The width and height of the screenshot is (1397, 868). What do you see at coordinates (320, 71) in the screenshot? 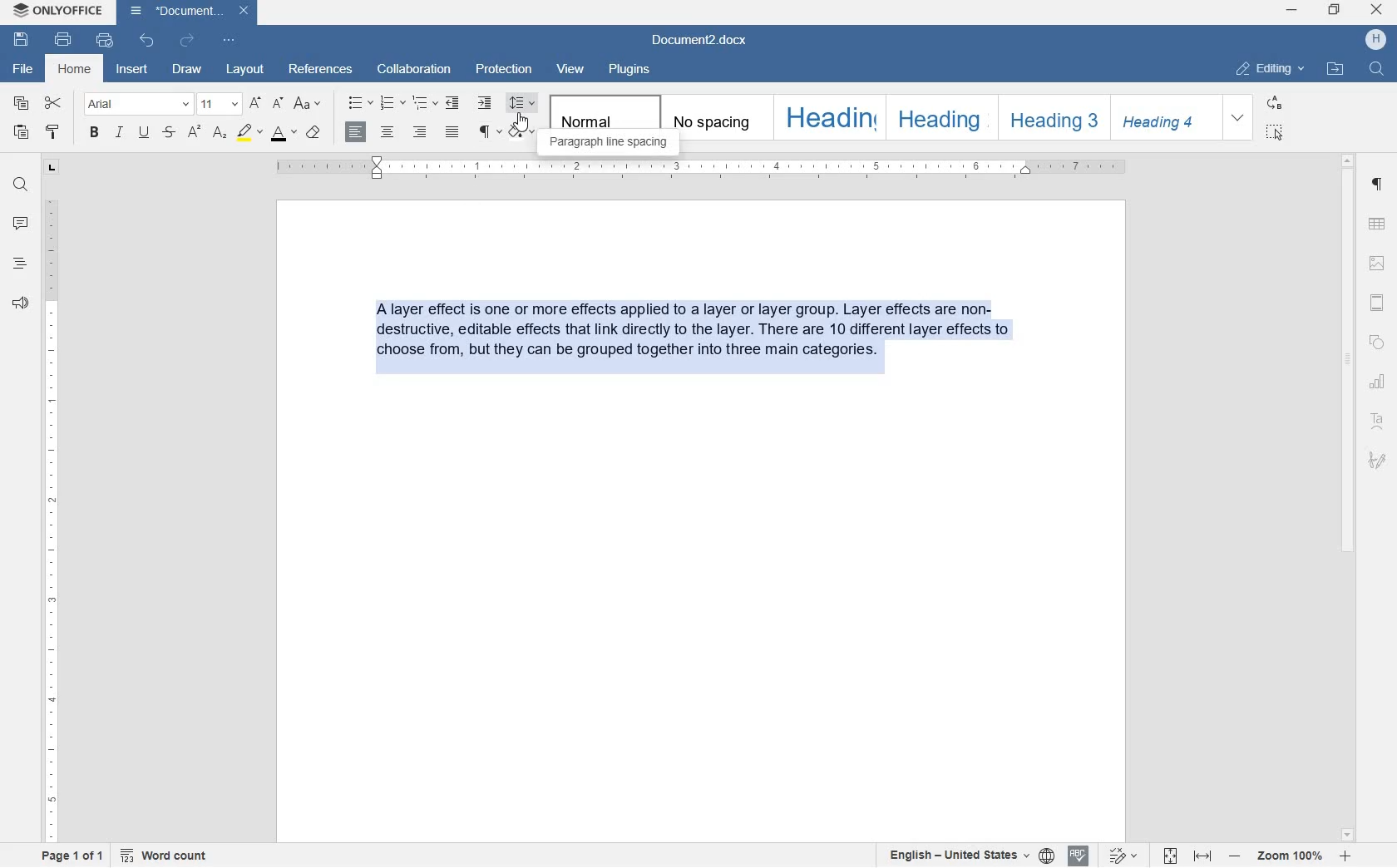
I see `references` at bounding box center [320, 71].